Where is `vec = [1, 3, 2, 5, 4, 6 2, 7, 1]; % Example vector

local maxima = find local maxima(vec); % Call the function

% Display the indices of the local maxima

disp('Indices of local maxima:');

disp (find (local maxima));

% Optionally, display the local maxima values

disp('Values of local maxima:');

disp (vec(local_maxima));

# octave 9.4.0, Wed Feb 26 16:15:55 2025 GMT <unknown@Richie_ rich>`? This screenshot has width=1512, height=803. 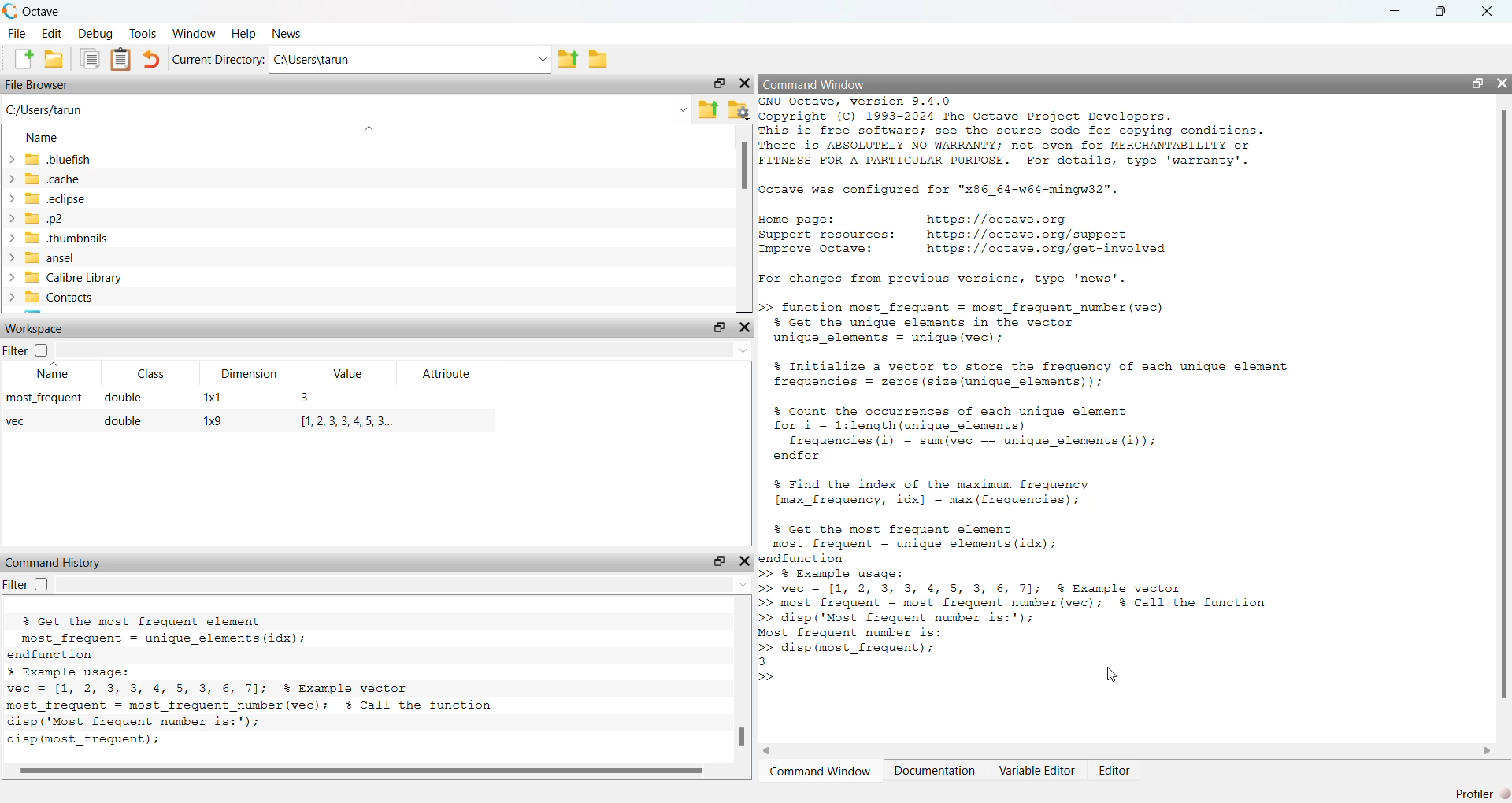 vec = [1, 3, 2, 5, 4, 6 2, 7, 1]; % Example vector

local maxima = find local maxima(vec); % Call the function

% Display the indices of the local maxima

disp('Indices of local maxima:');

disp (find (local maxima));

% Optionally, display the local maxima values

disp('Values of local maxima:');

disp (vec(local_maxima));

# octave 9.4.0, Wed Feb 26 16:15:55 2025 GMT <unknown@Richie_ rich> is located at coordinates (298, 676).